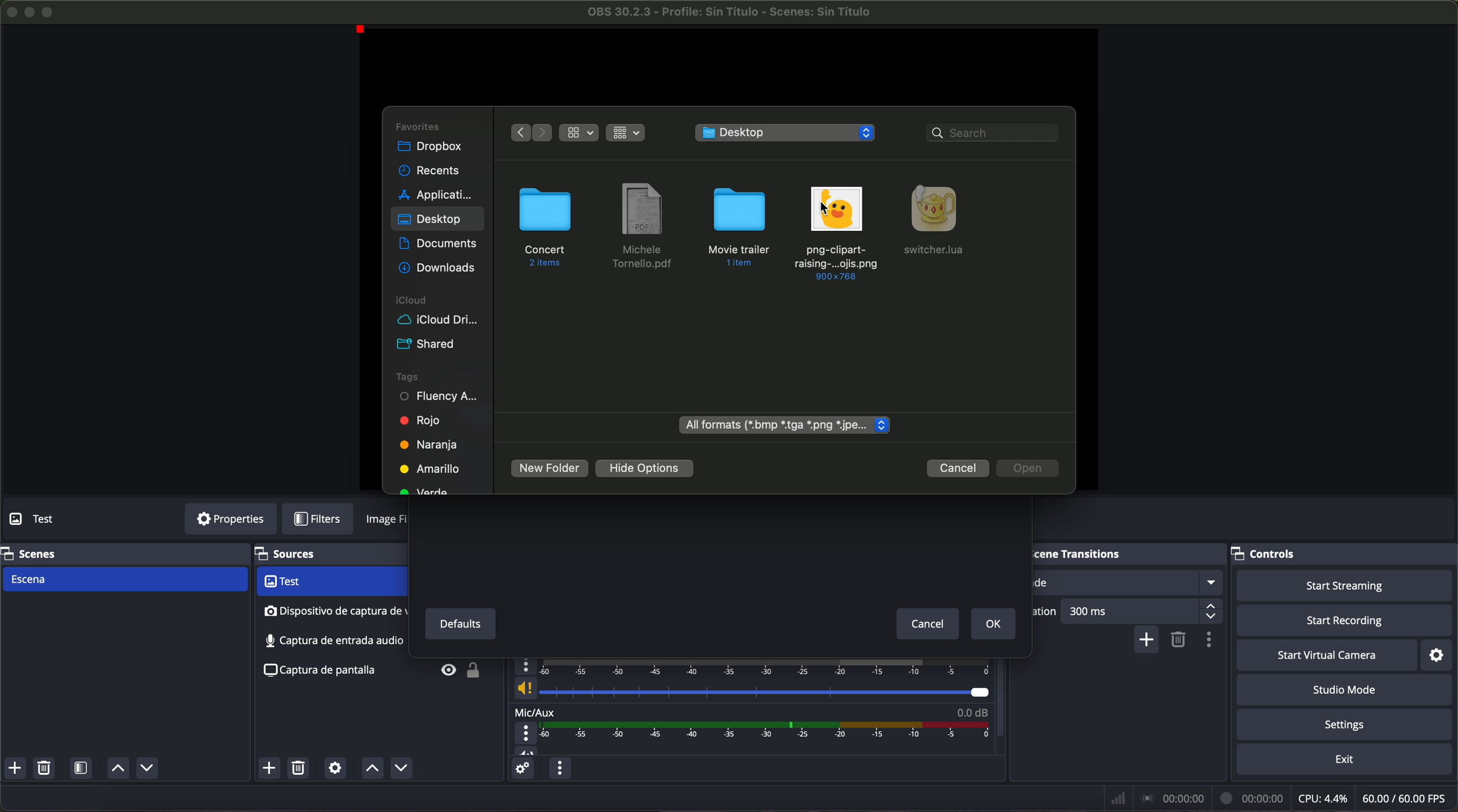 The height and width of the screenshot is (812, 1458). Describe the element at coordinates (1094, 553) in the screenshot. I see `scene transitions` at that location.